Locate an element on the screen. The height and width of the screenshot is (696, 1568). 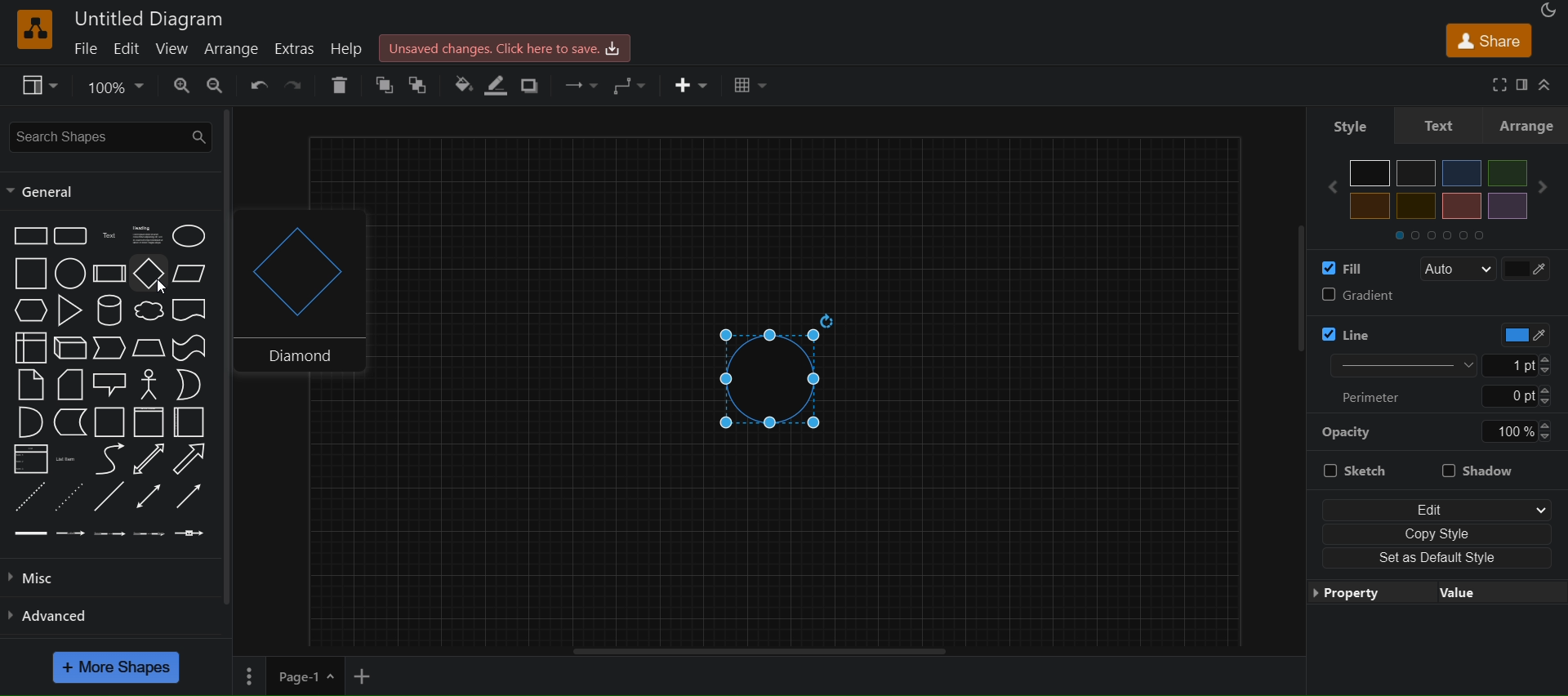
advanced is located at coordinates (57, 613).